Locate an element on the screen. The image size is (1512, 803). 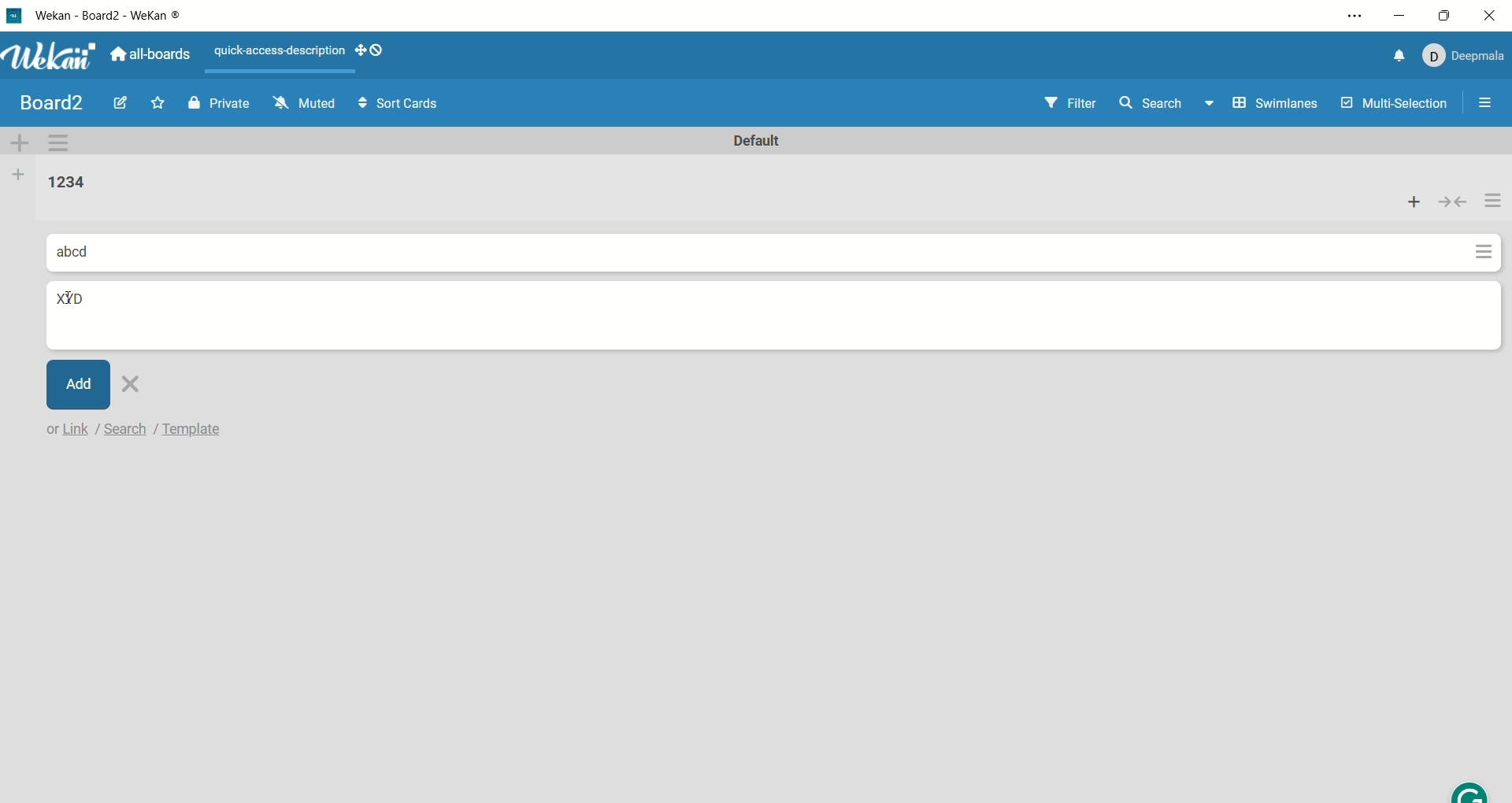
filter is located at coordinates (1060, 100).